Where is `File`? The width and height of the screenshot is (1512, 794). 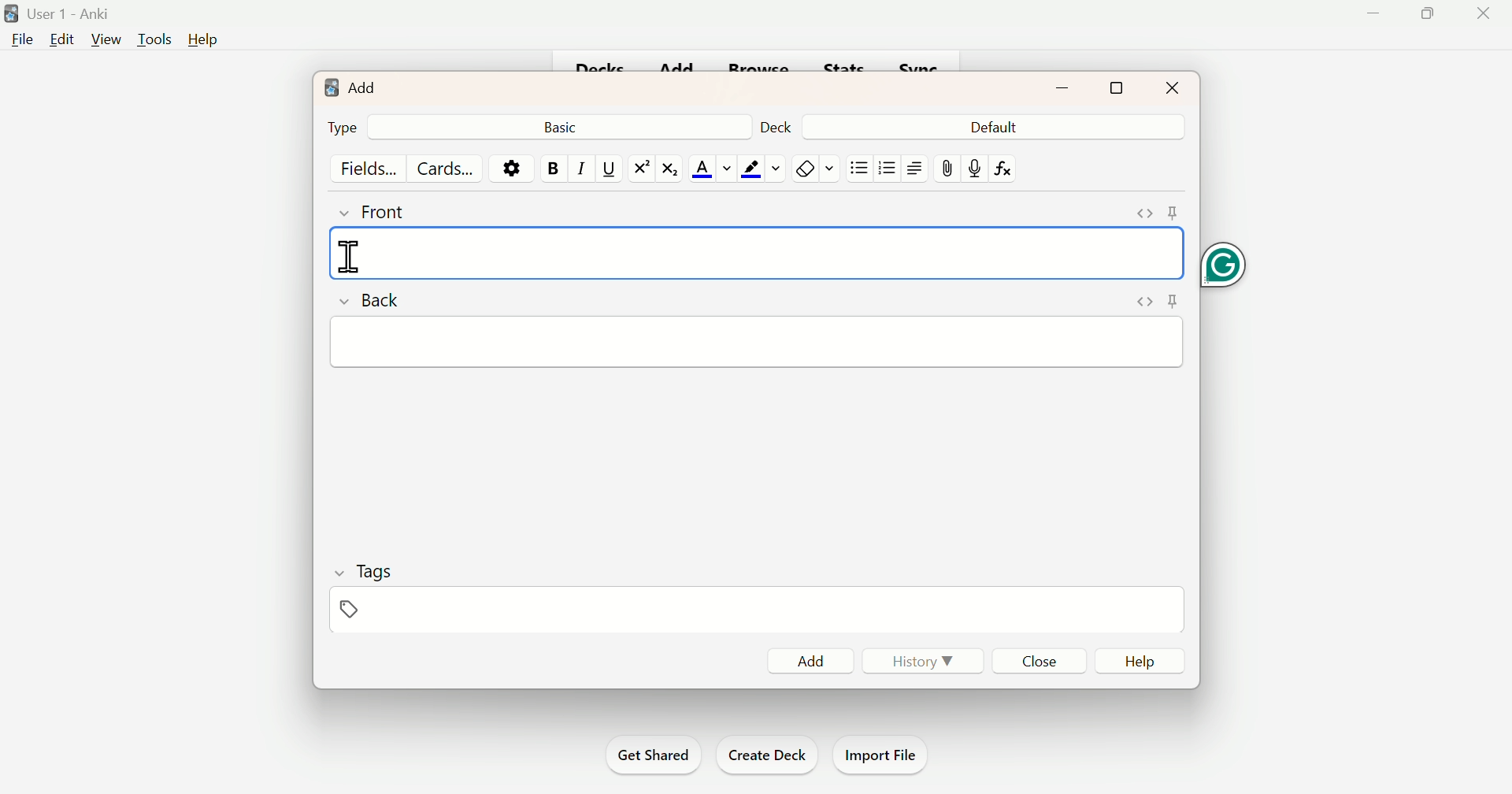 File is located at coordinates (21, 43).